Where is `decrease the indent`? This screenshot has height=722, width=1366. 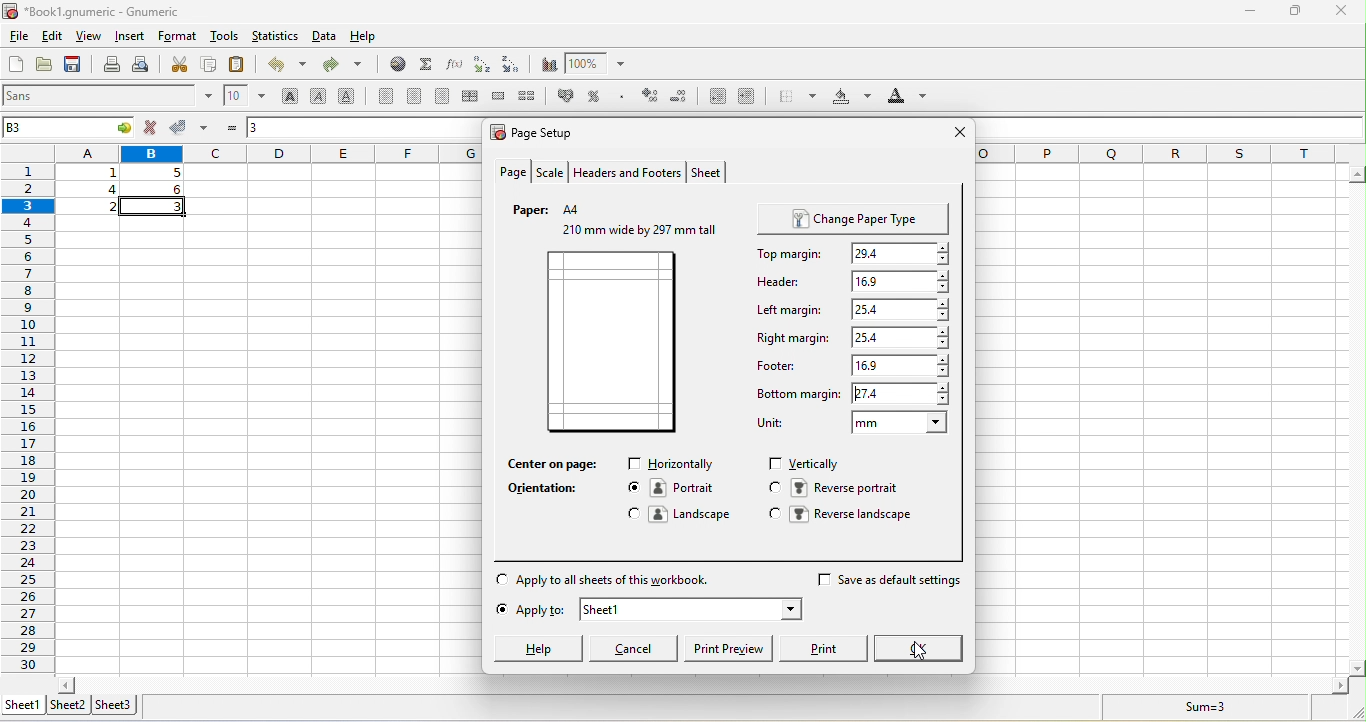
decrease the indent is located at coordinates (713, 97).